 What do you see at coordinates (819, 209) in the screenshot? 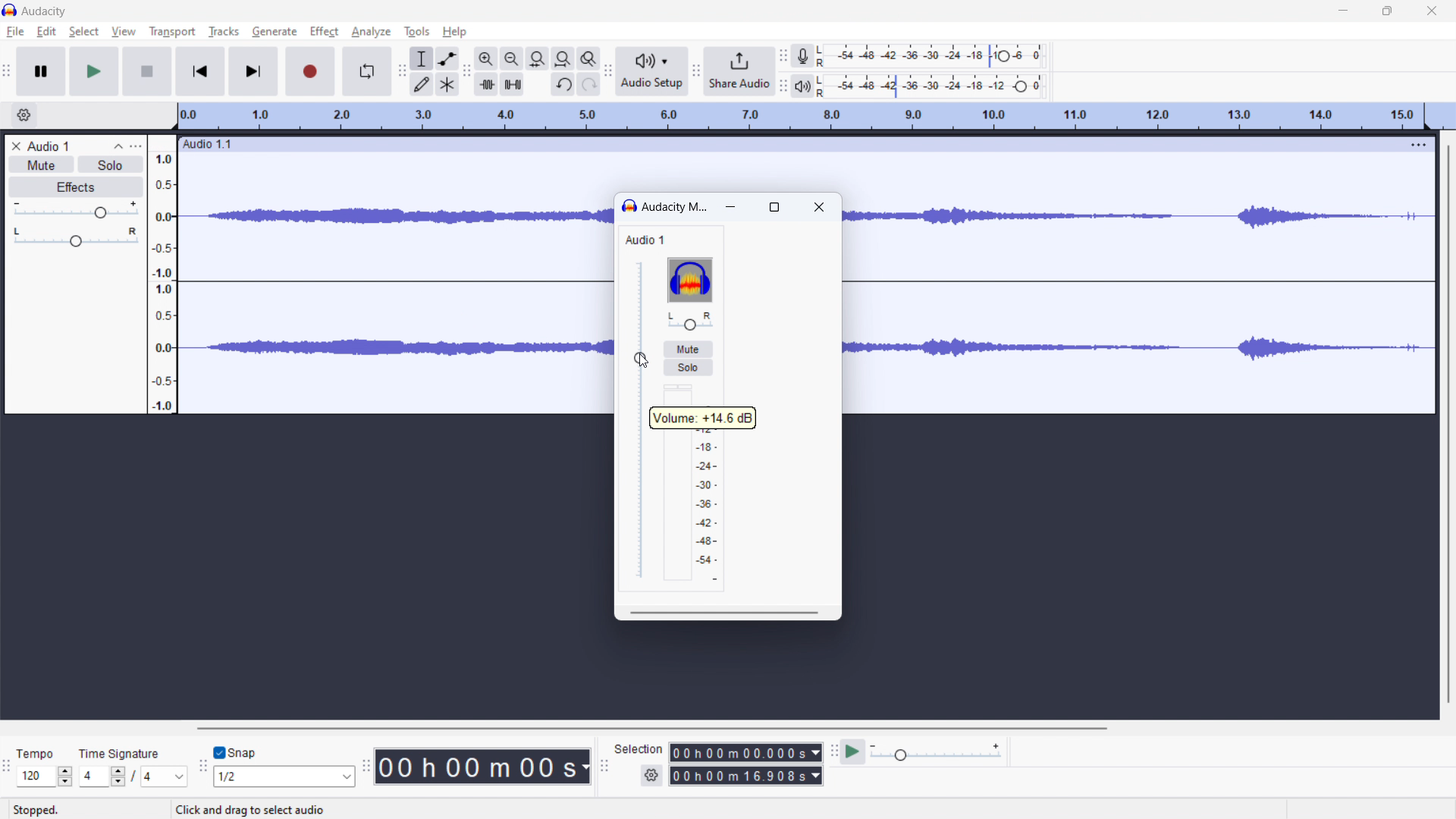
I see `close` at bounding box center [819, 209].